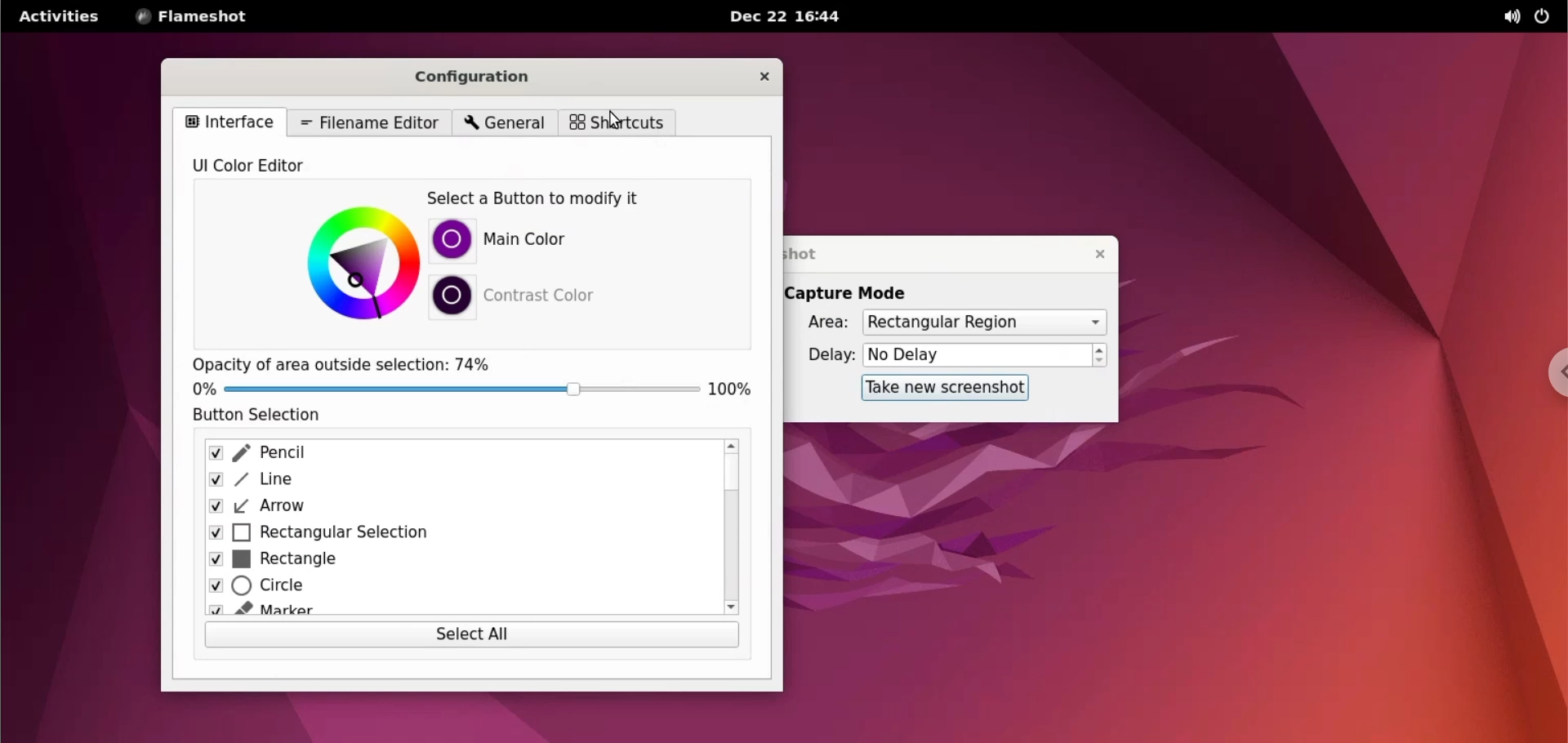 The image size is (1568, 743). What do you see at coordinates (817, 323) in the screenshot?
I see `Area:` at bounding box center [817, 323].